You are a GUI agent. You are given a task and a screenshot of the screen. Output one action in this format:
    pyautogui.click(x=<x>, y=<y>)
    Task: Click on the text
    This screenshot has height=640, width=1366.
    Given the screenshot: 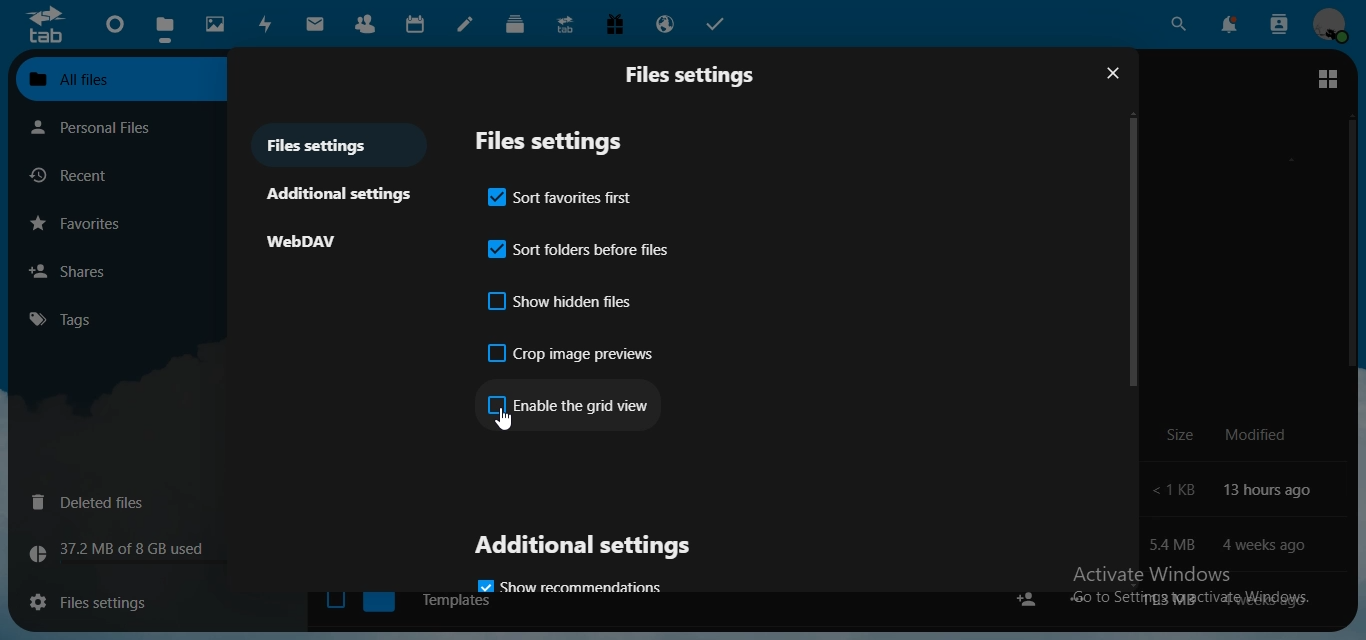 What is the action you would take?
    pyautogui.click(x=134, y=551)
    